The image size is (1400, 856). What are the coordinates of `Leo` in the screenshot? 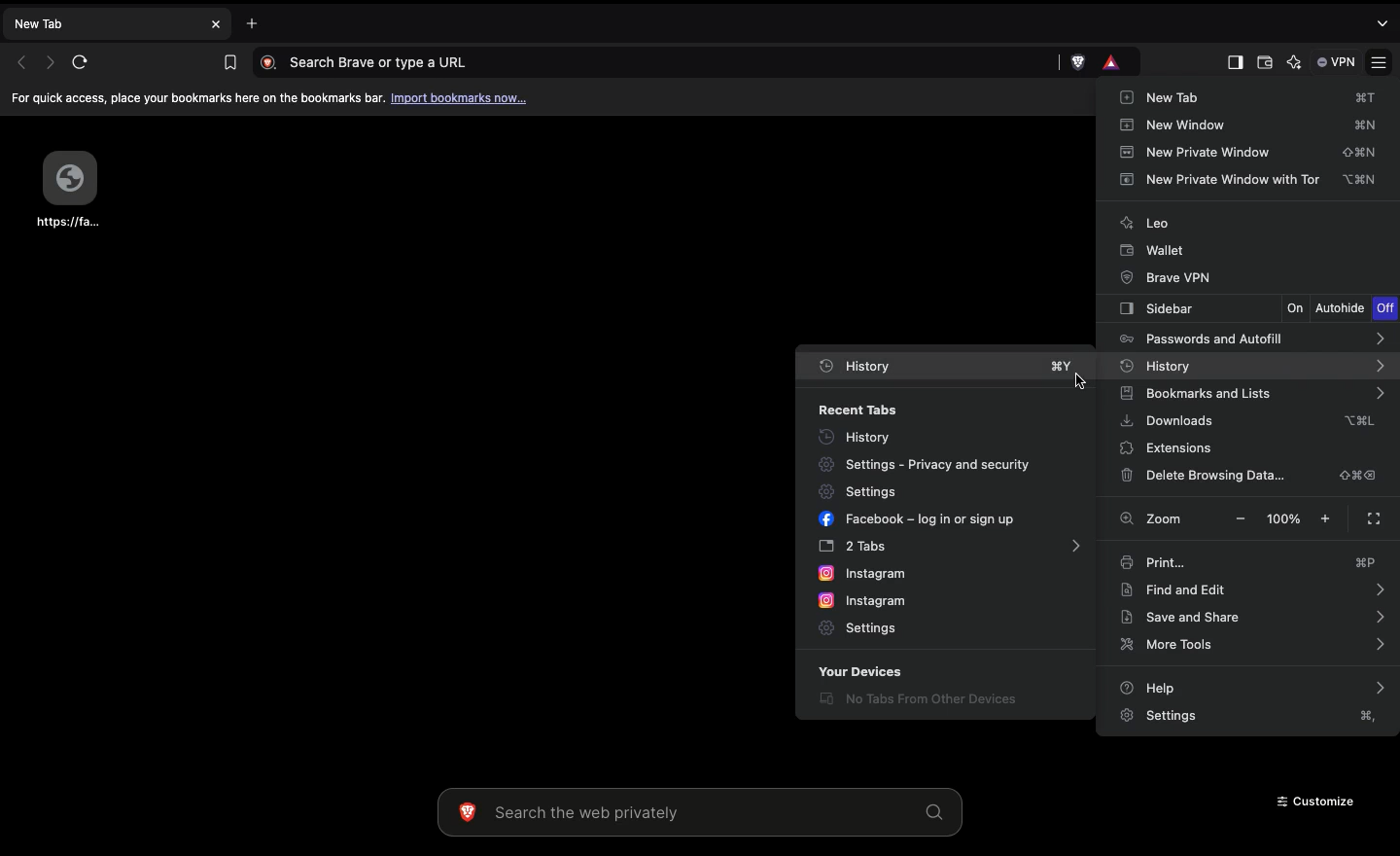 It's located at (1145, 223).